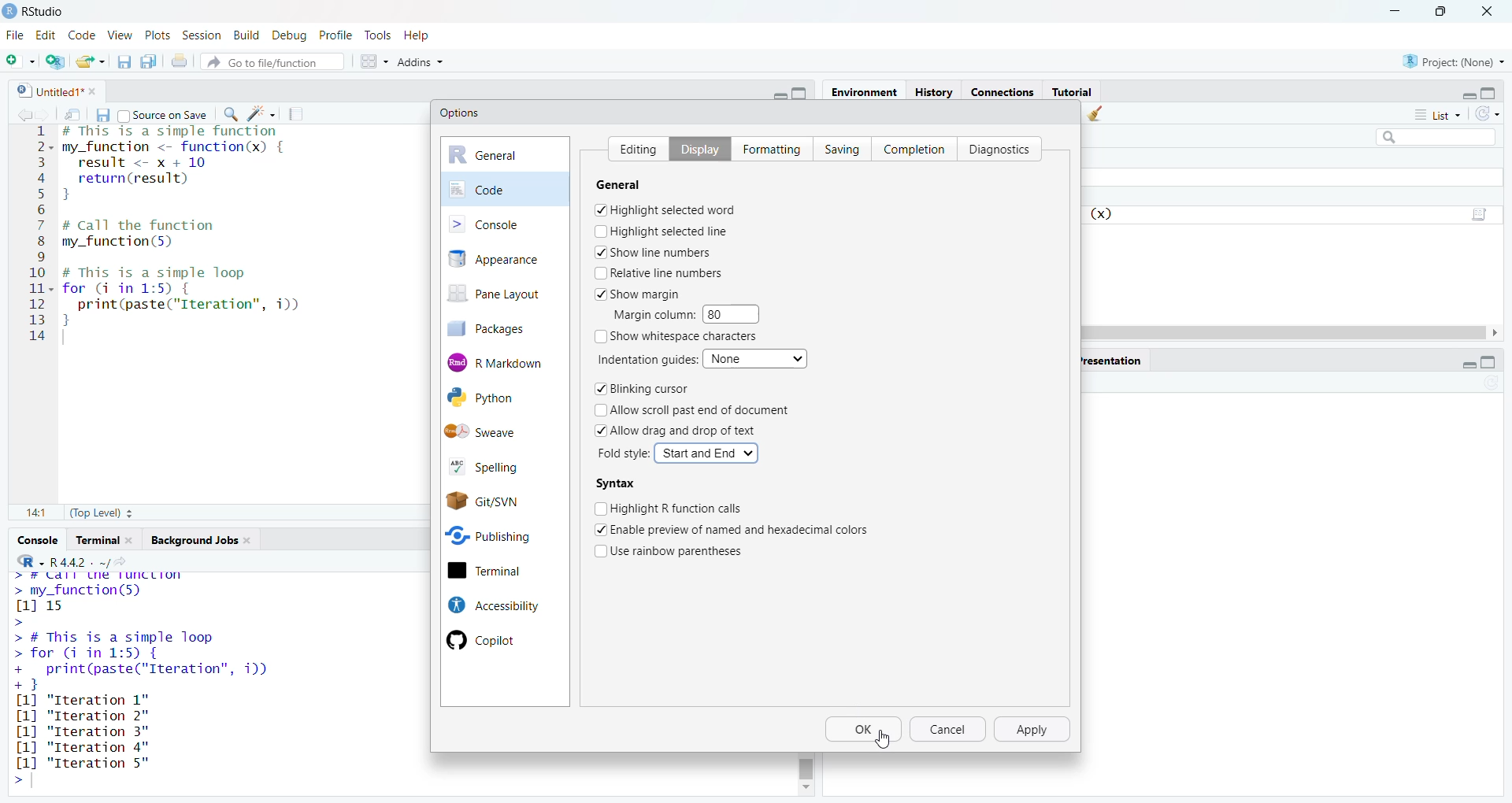 The width and height of the screenshot is (1512, 803). Describe the element at coordinates (96, 540) in the screenshot. I see `terminal` at that location.